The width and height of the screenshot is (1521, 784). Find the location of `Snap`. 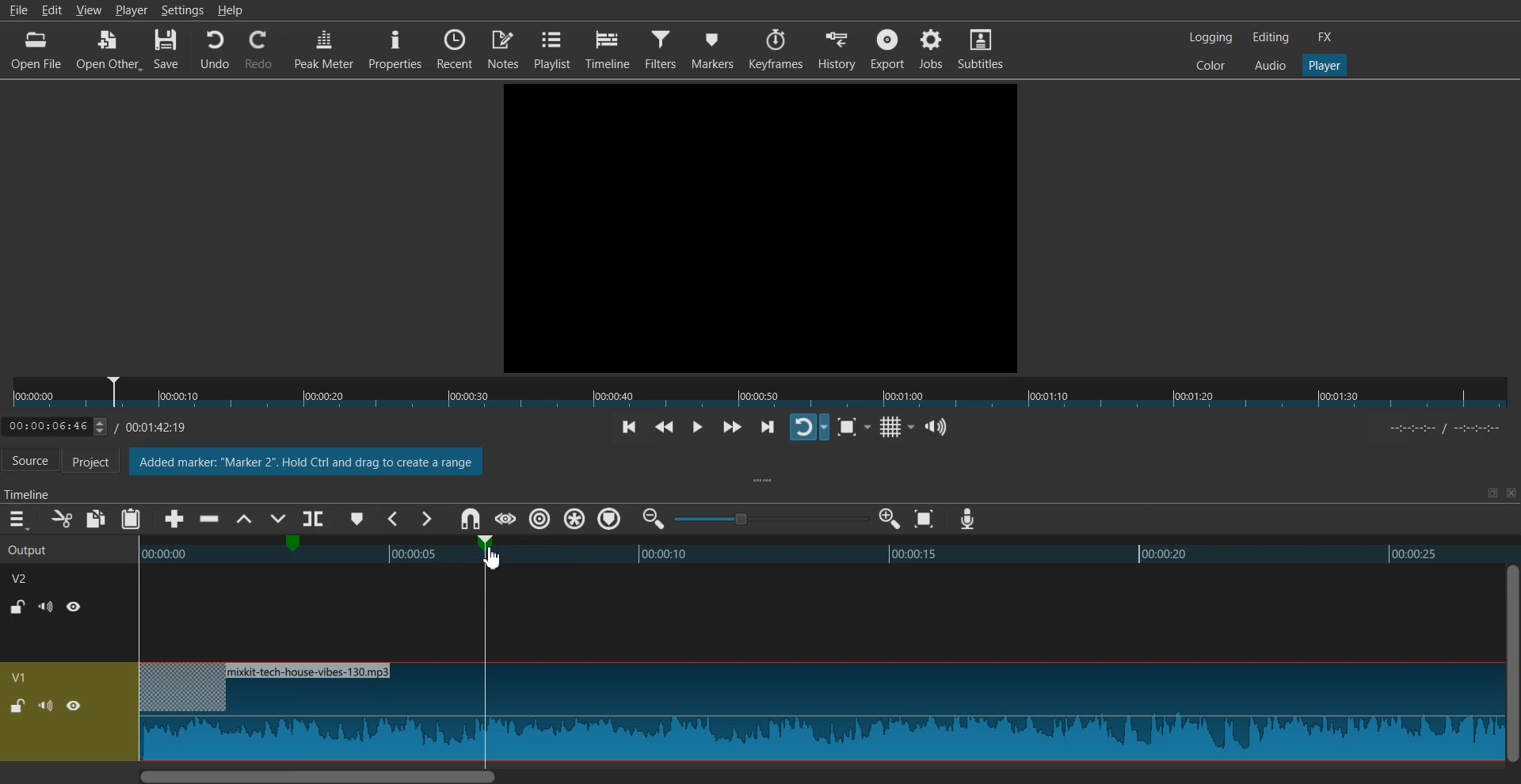

Snap is located at coordinates (470, 519).